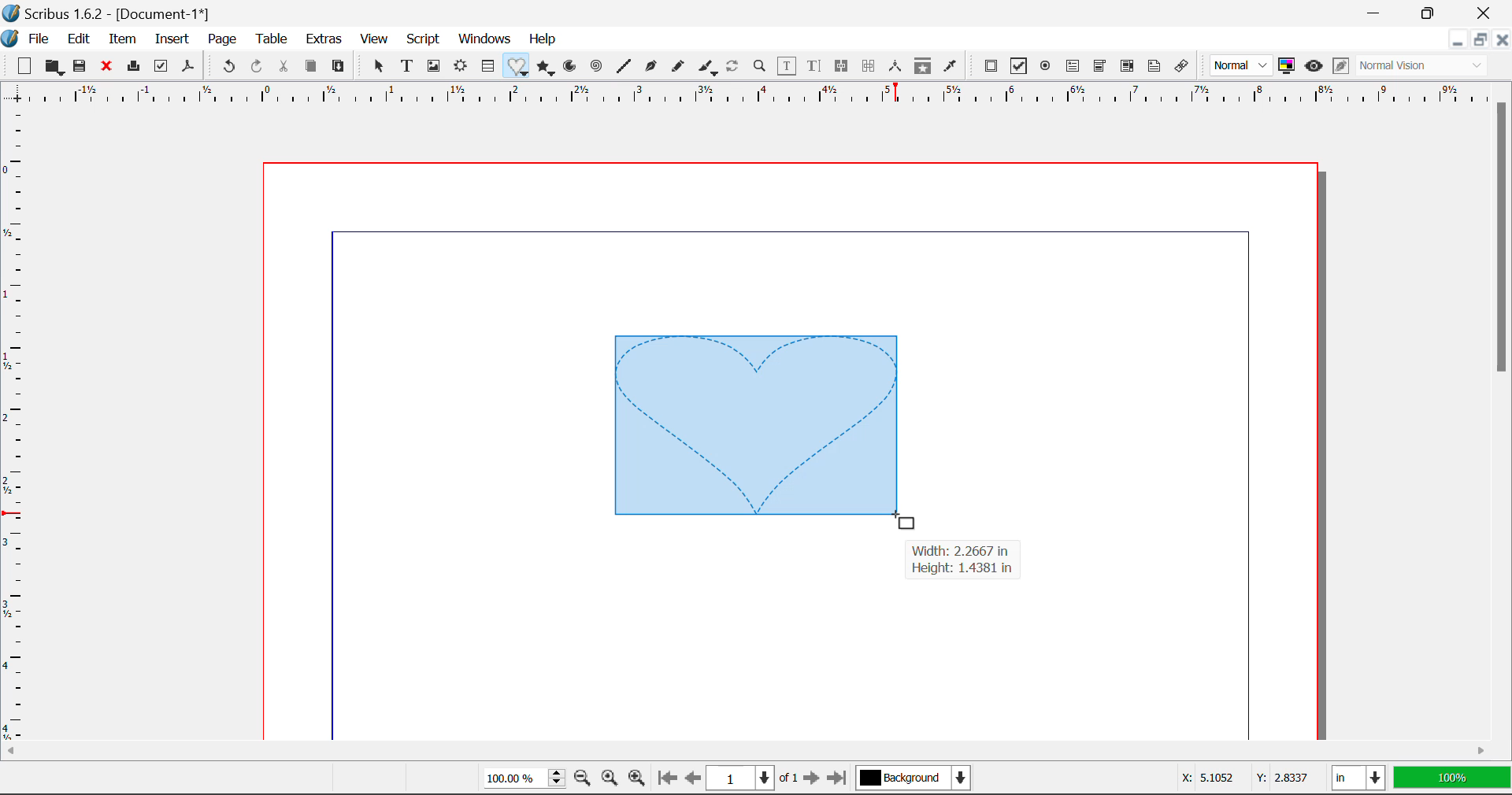 The width and height of the screenshot is (1512, 795). I want to click on Copy, so click(310, 67).